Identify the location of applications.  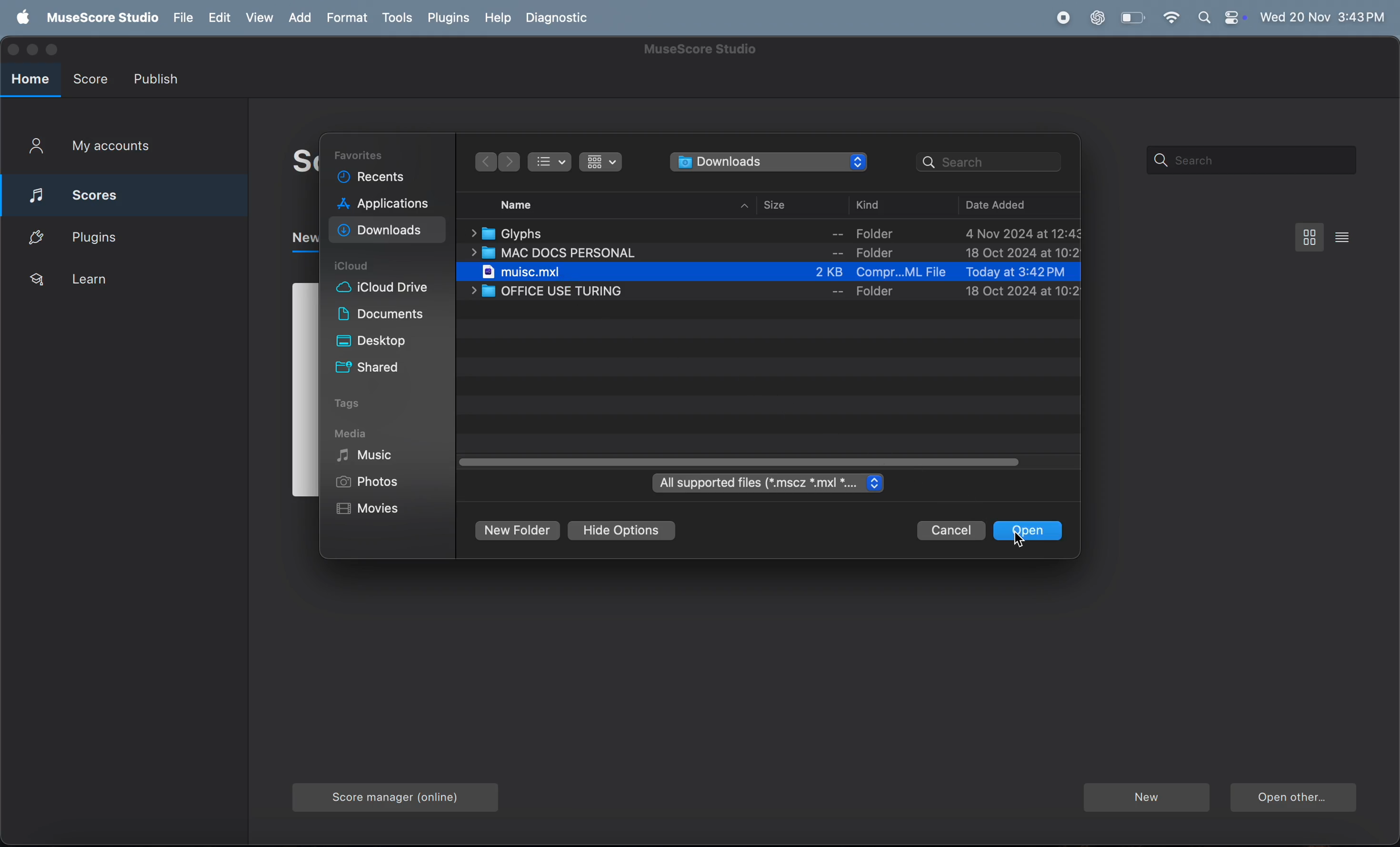
(385, 205).